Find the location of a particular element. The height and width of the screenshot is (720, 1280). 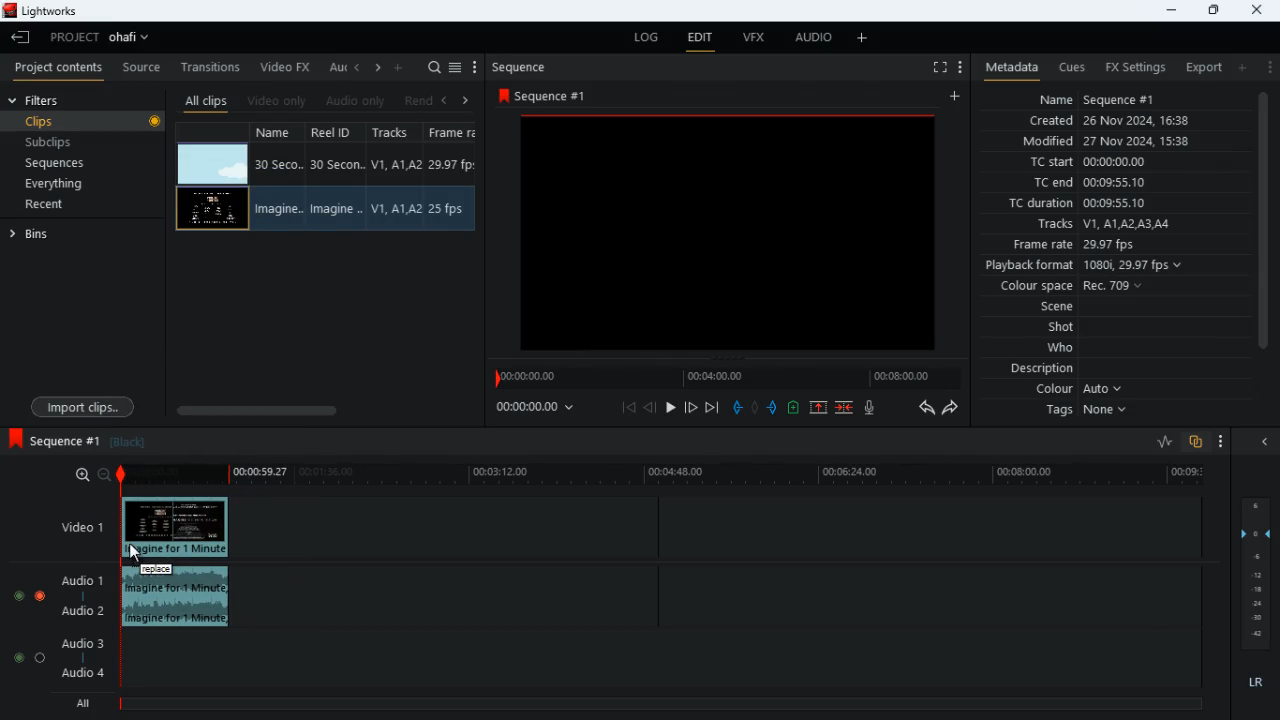

frame rate is located at coordinates (1074, 246).